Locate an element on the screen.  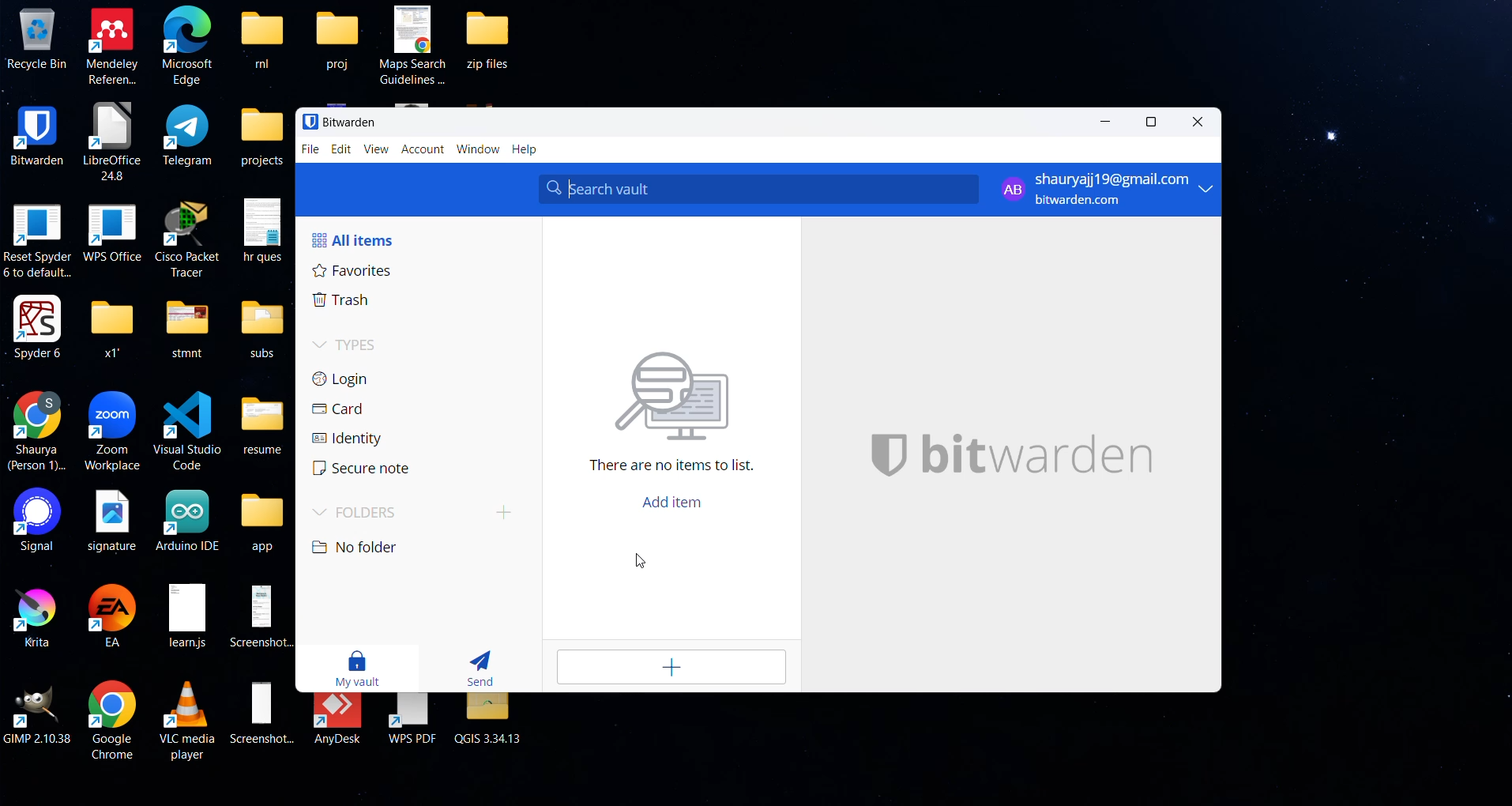
close is located at coordinates (1193, 125).